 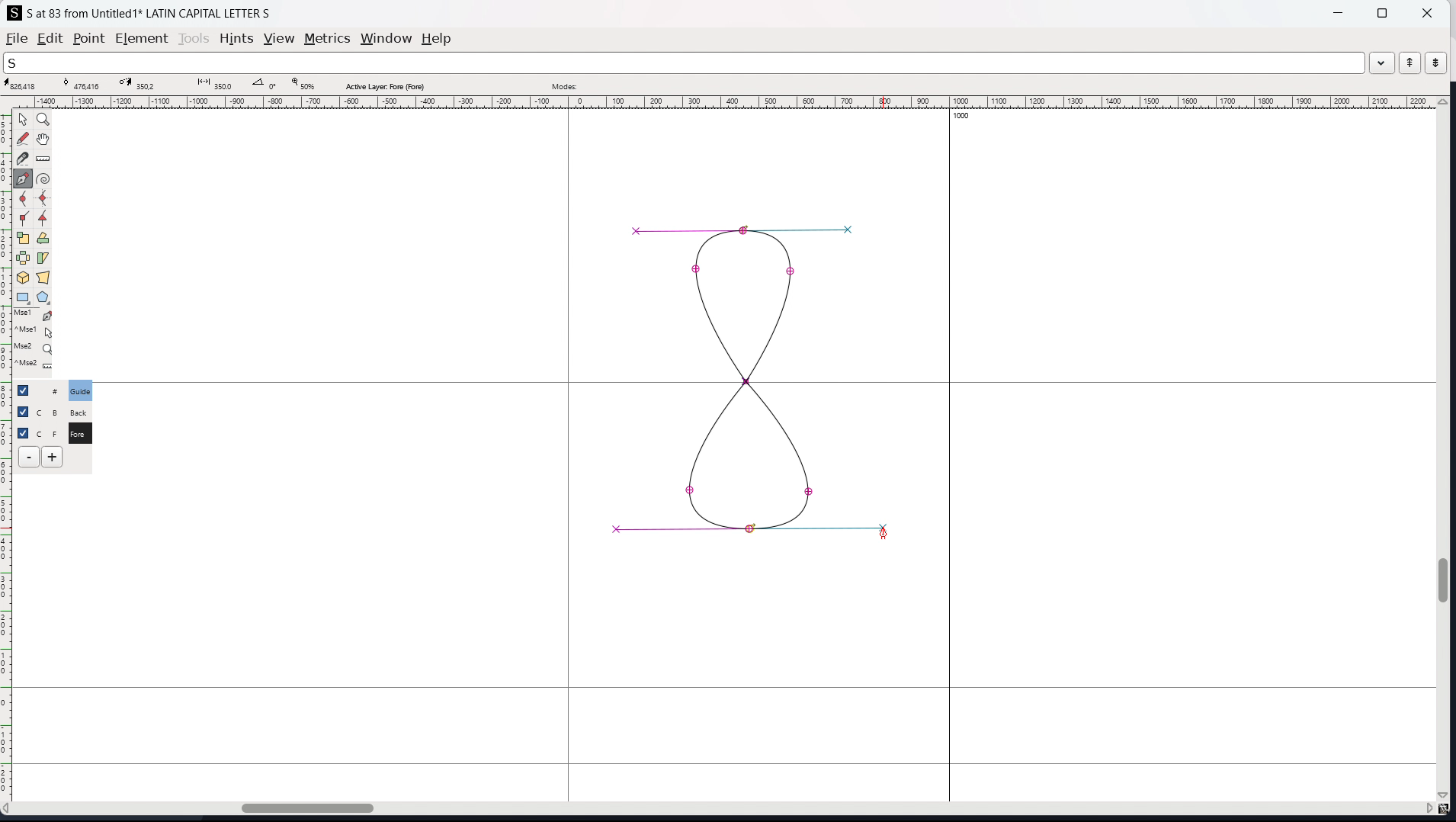 What do you see at coordinates (143, 39) in the screenshot?
I see `element` at bounding box center [143, 39].